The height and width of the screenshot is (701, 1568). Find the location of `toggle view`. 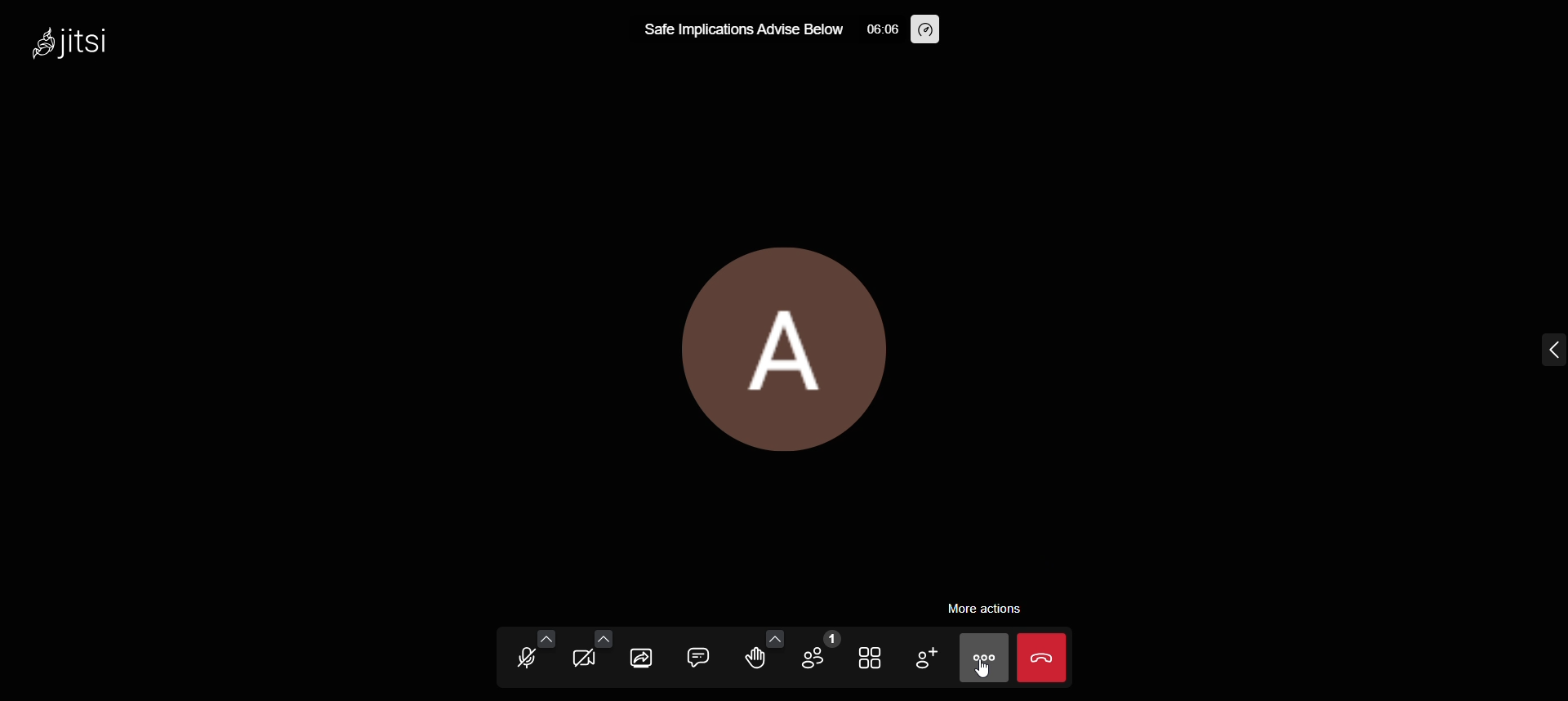

toggle view is located at coordinates (871, 658).